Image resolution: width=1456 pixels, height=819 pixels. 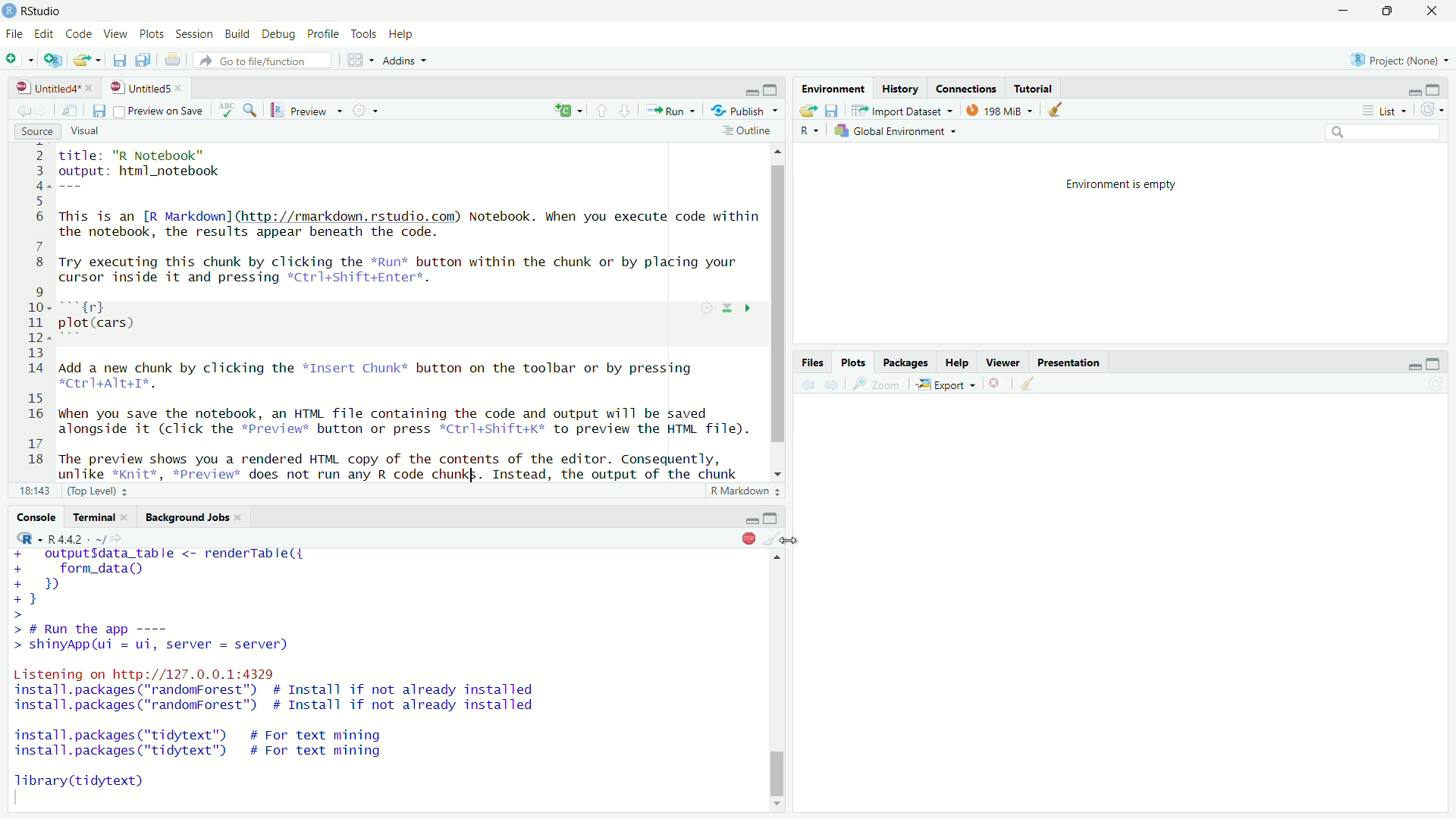 What do you see at coordinates (280, 36) in the screenshot?
I see `Debug` at bounding box center [280, 36].